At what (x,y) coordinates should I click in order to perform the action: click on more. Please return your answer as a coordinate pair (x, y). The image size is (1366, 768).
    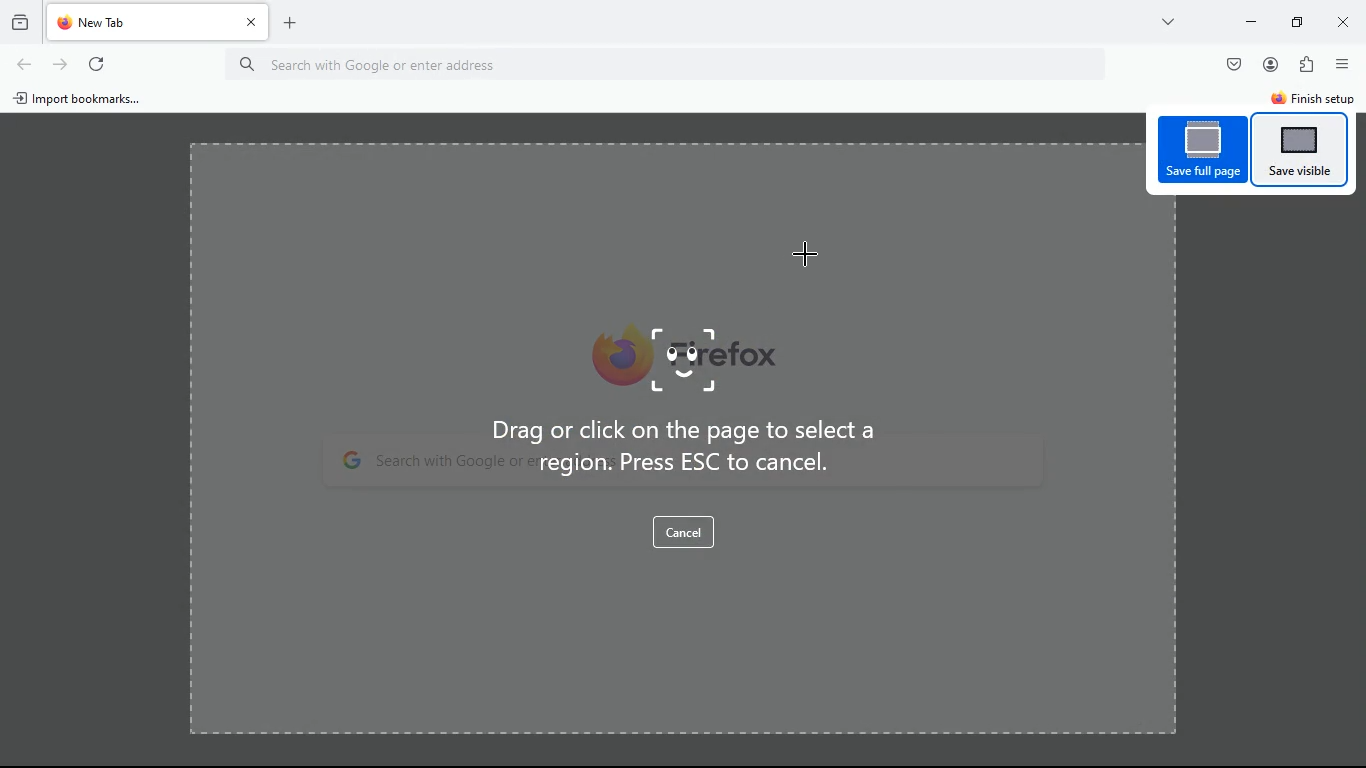
    Looking at the image, I should click on (1169, 21).